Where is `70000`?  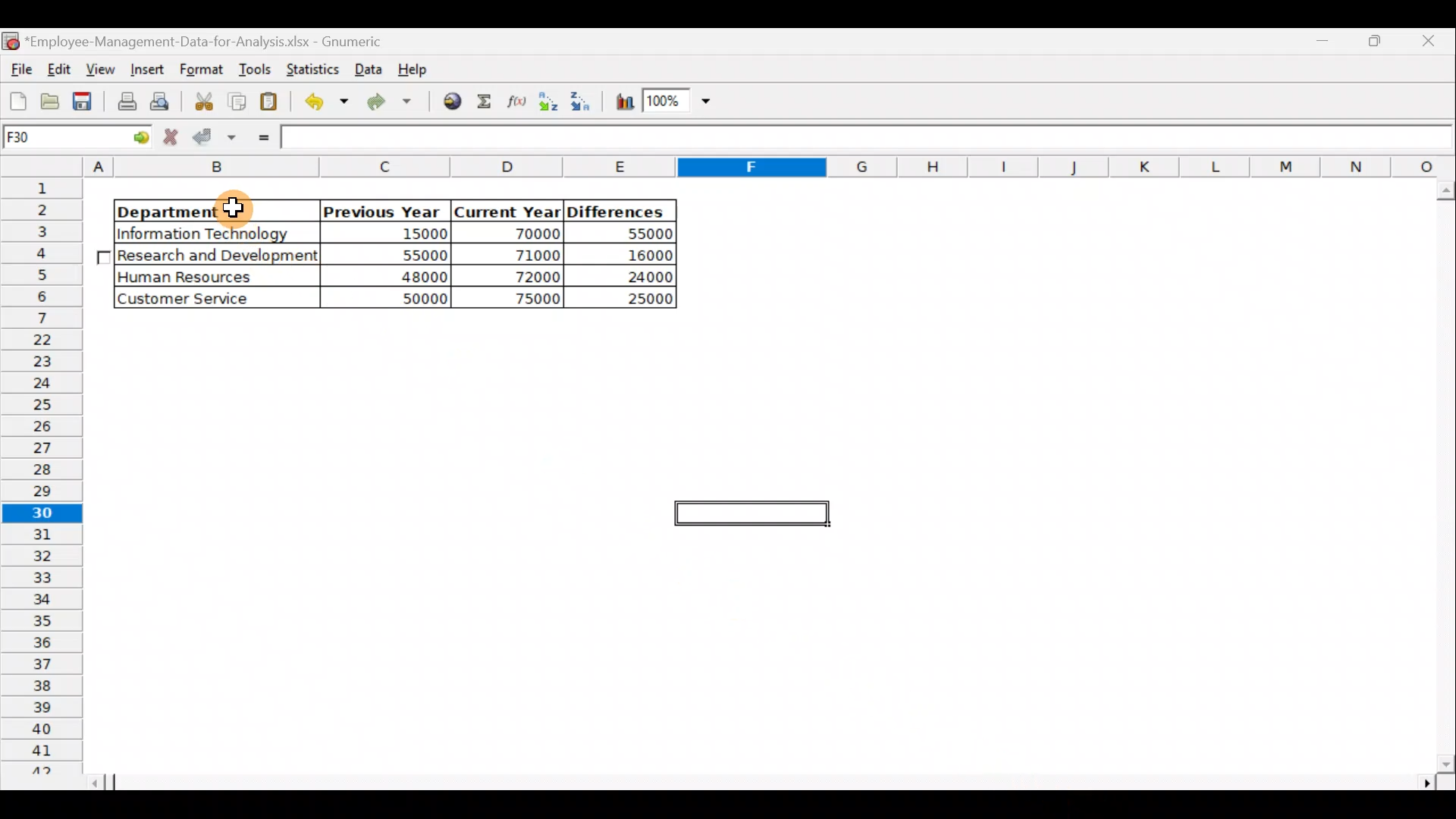
70000 is located at coordinates (523, 233).